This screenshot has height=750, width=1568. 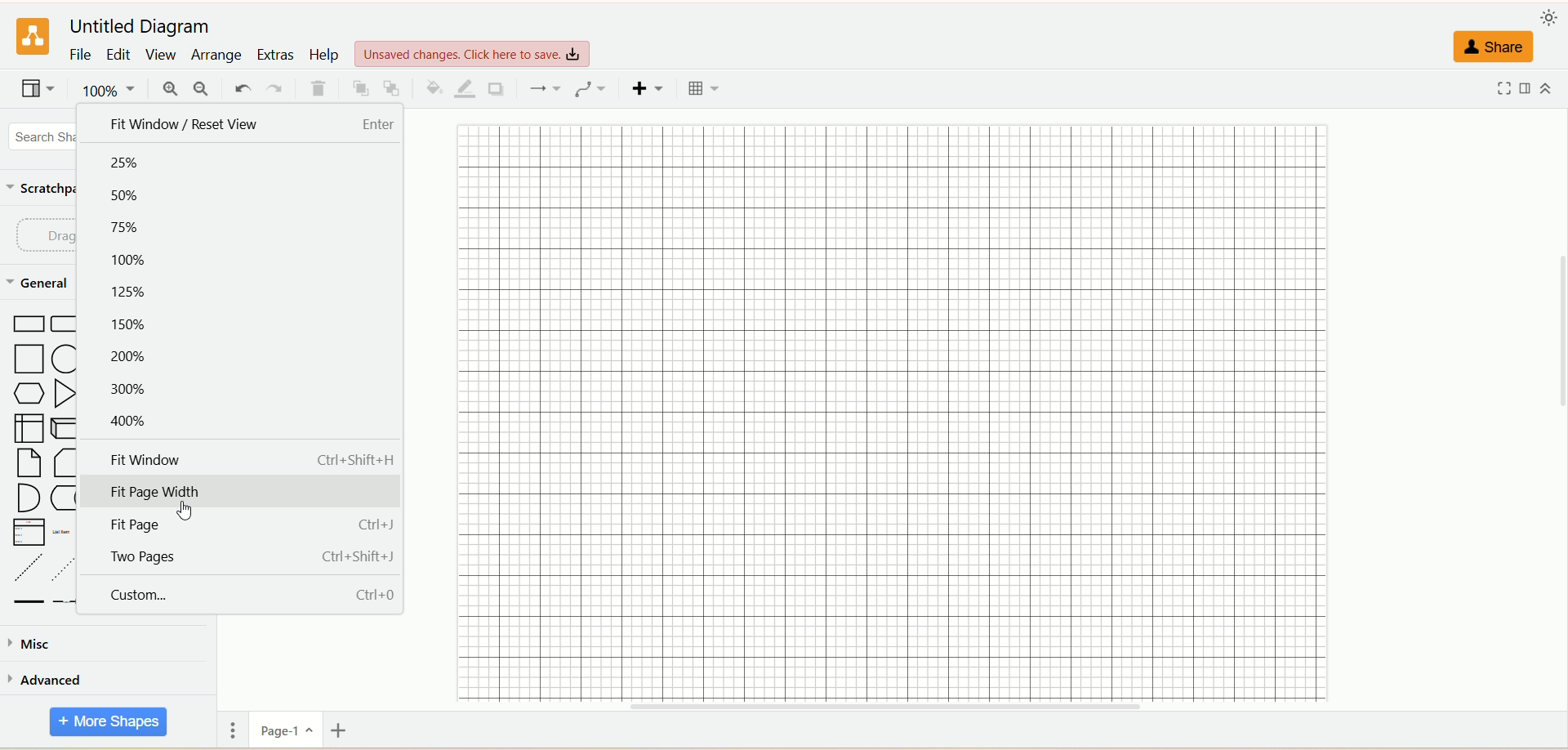 What do you see at coordinates (650, 88) in the screenshot?
I see `insert` at bounding box center [650, 88].